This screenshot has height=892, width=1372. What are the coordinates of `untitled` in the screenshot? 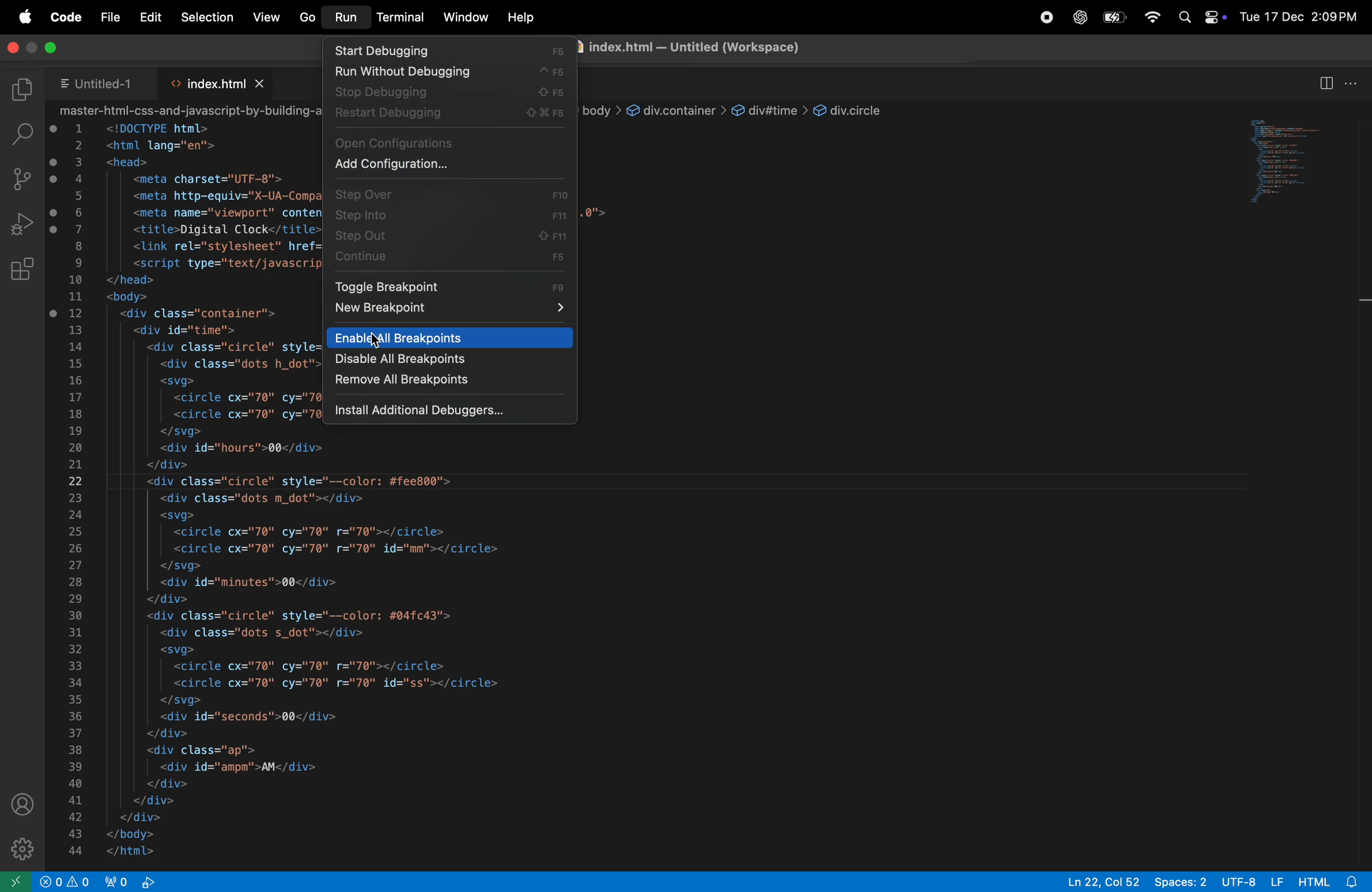 It's located at (97, 82).